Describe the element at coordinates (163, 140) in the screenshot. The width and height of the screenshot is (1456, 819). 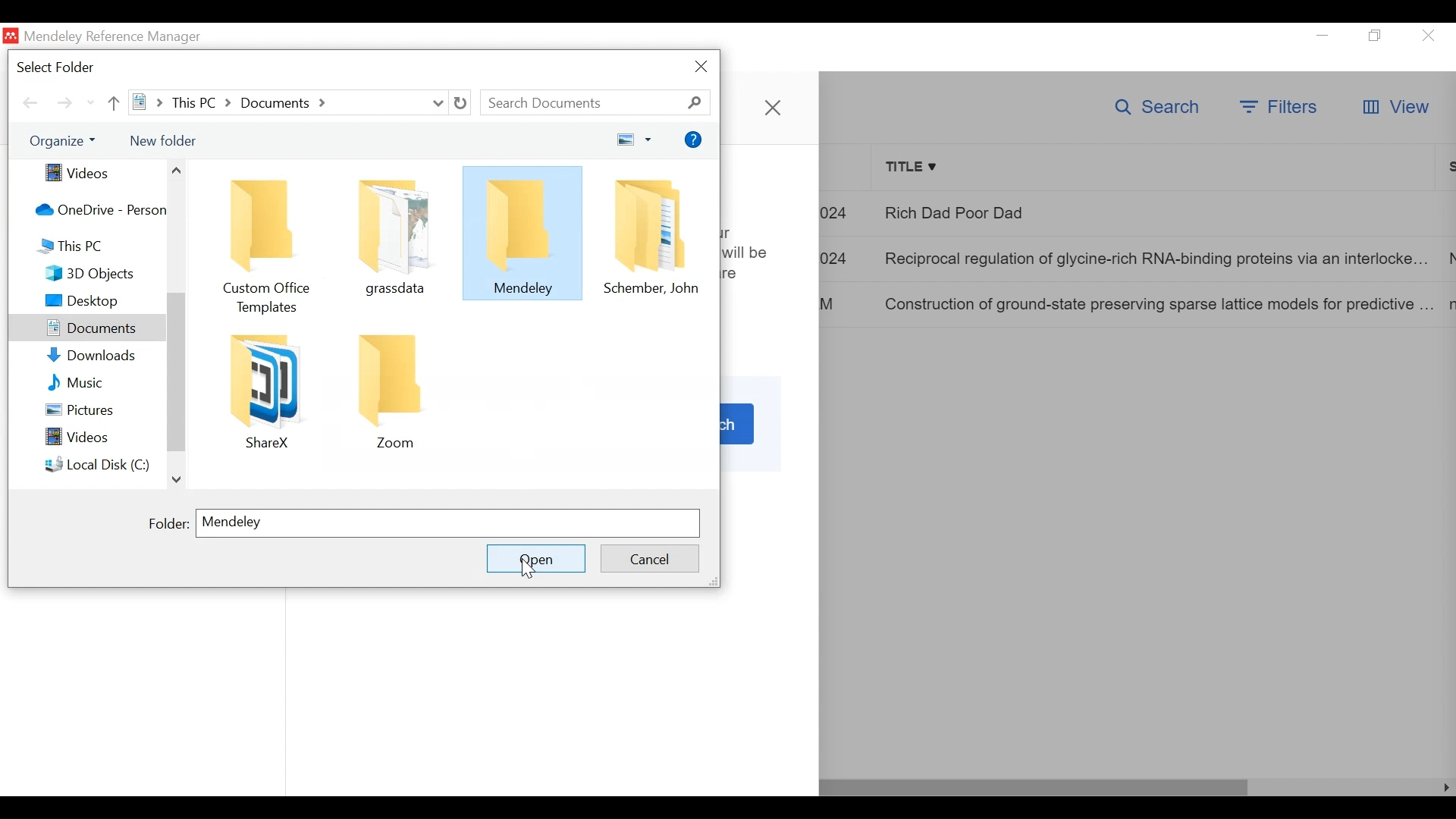
I see `New Folder` at that location.